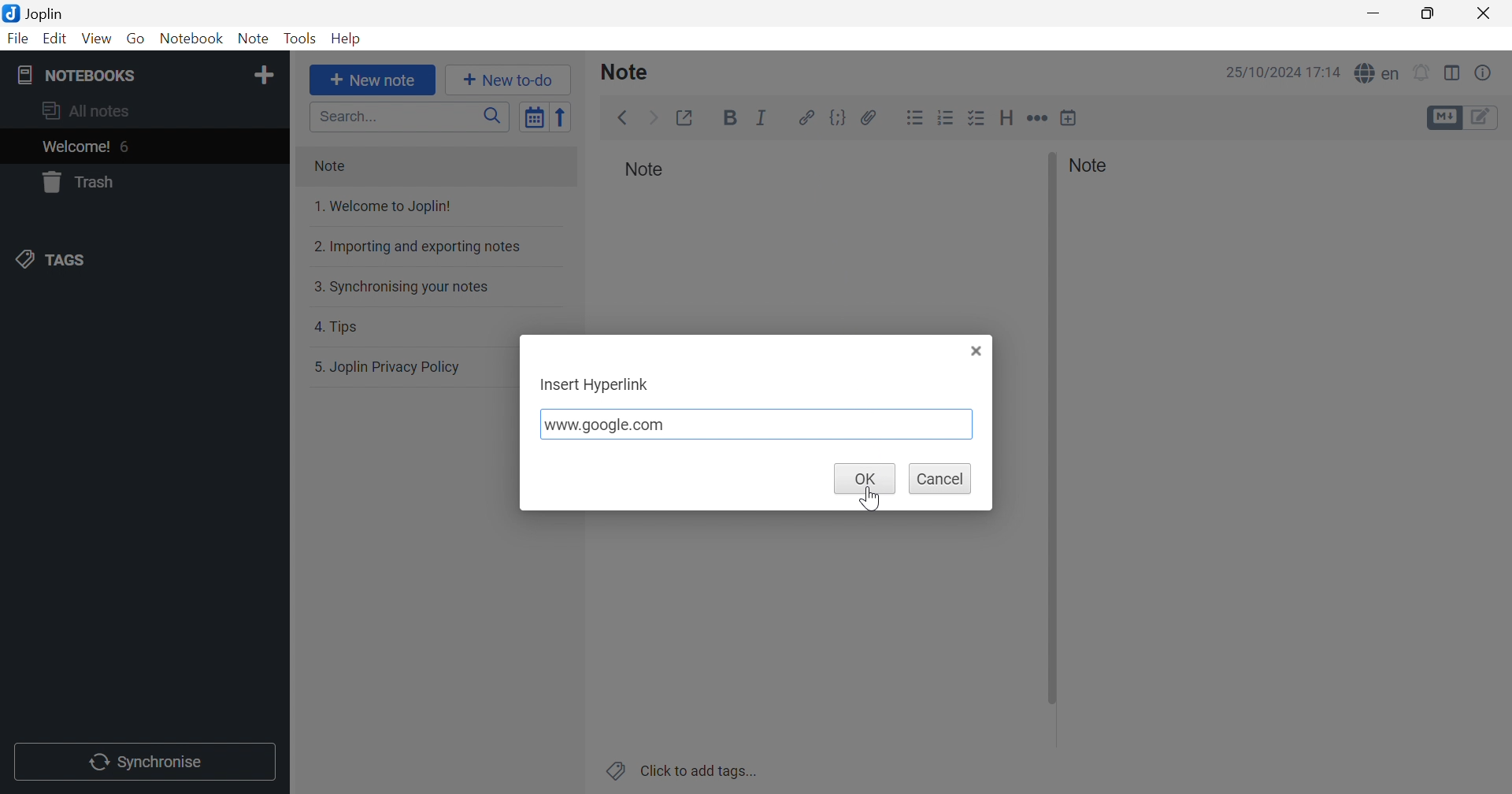  What do you see at coordinates (433, 247) in the screenshot?
I see `2. Importing and exporting notes` at bounding box center [433, 247].